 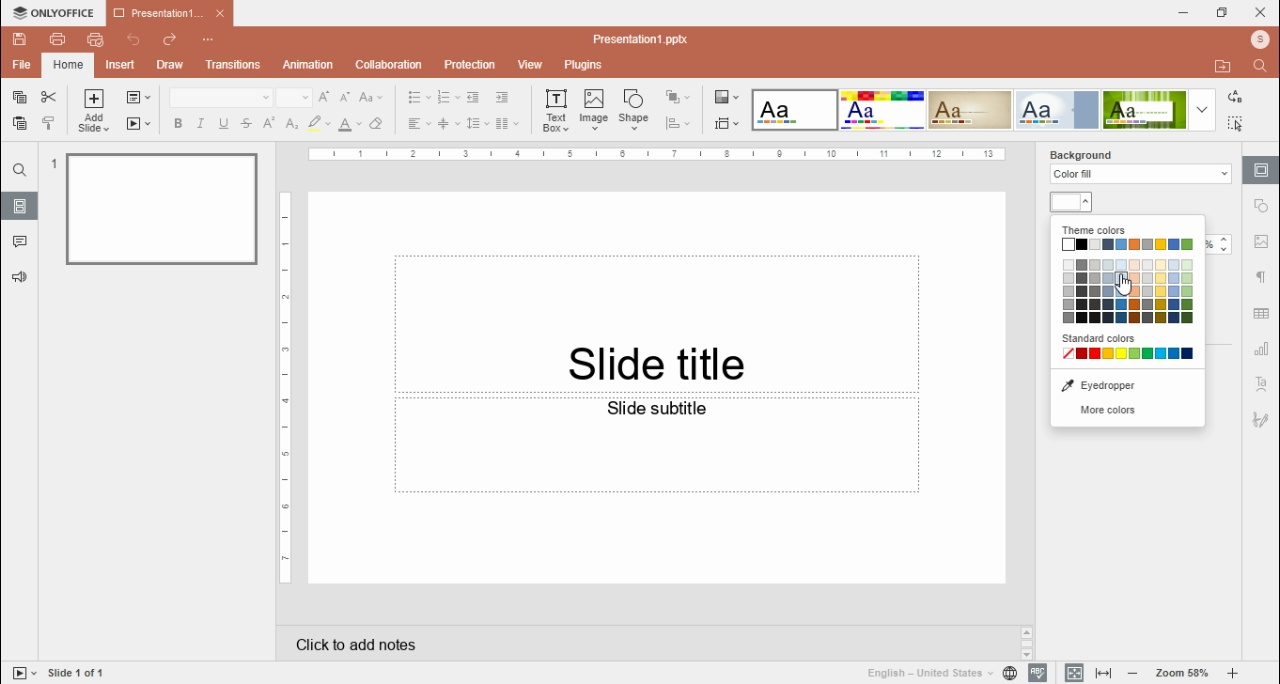 I want to click on icon, so click(x=52, y=12).